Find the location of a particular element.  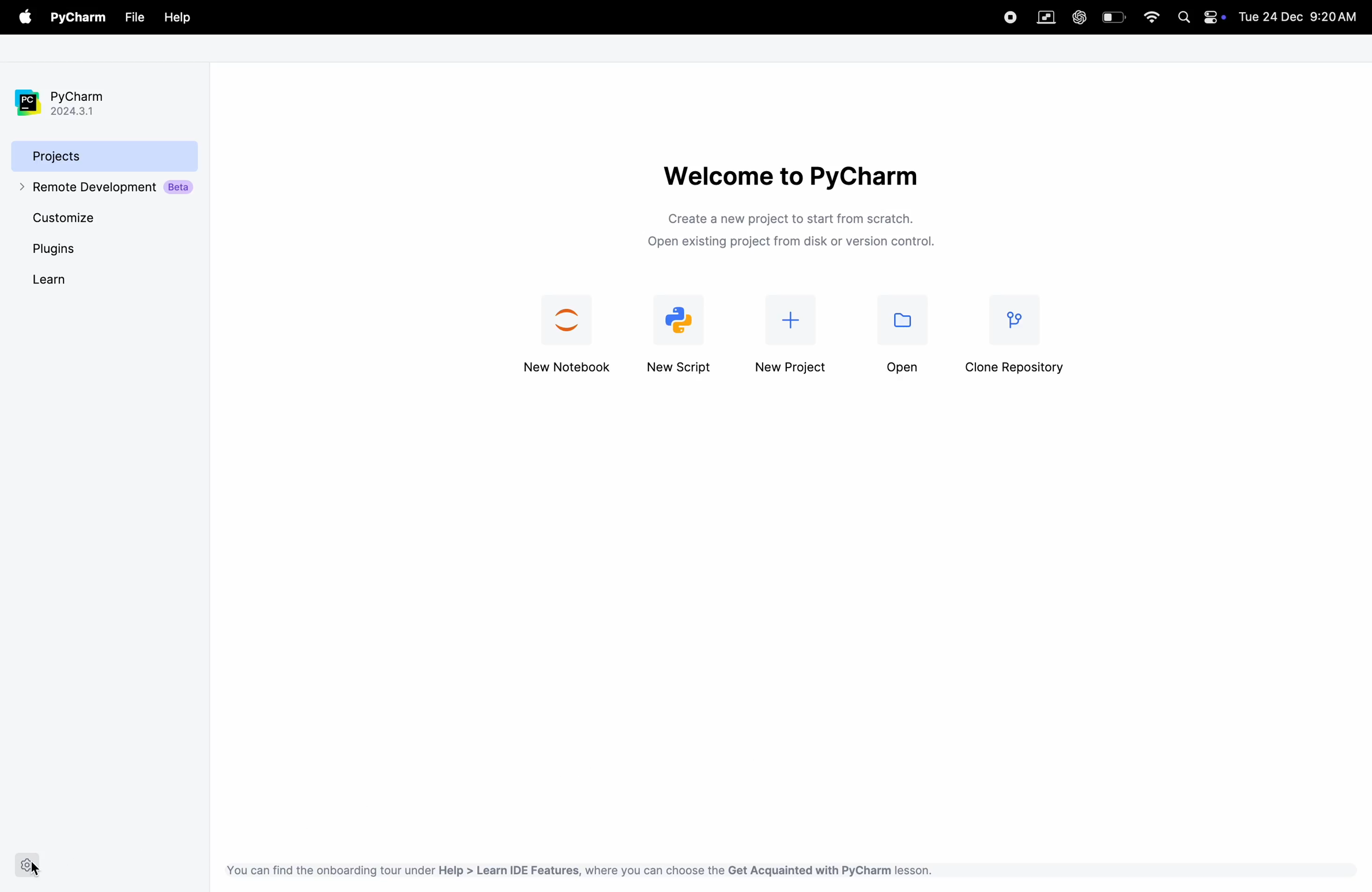

customize is located at coordinates (86, 217).